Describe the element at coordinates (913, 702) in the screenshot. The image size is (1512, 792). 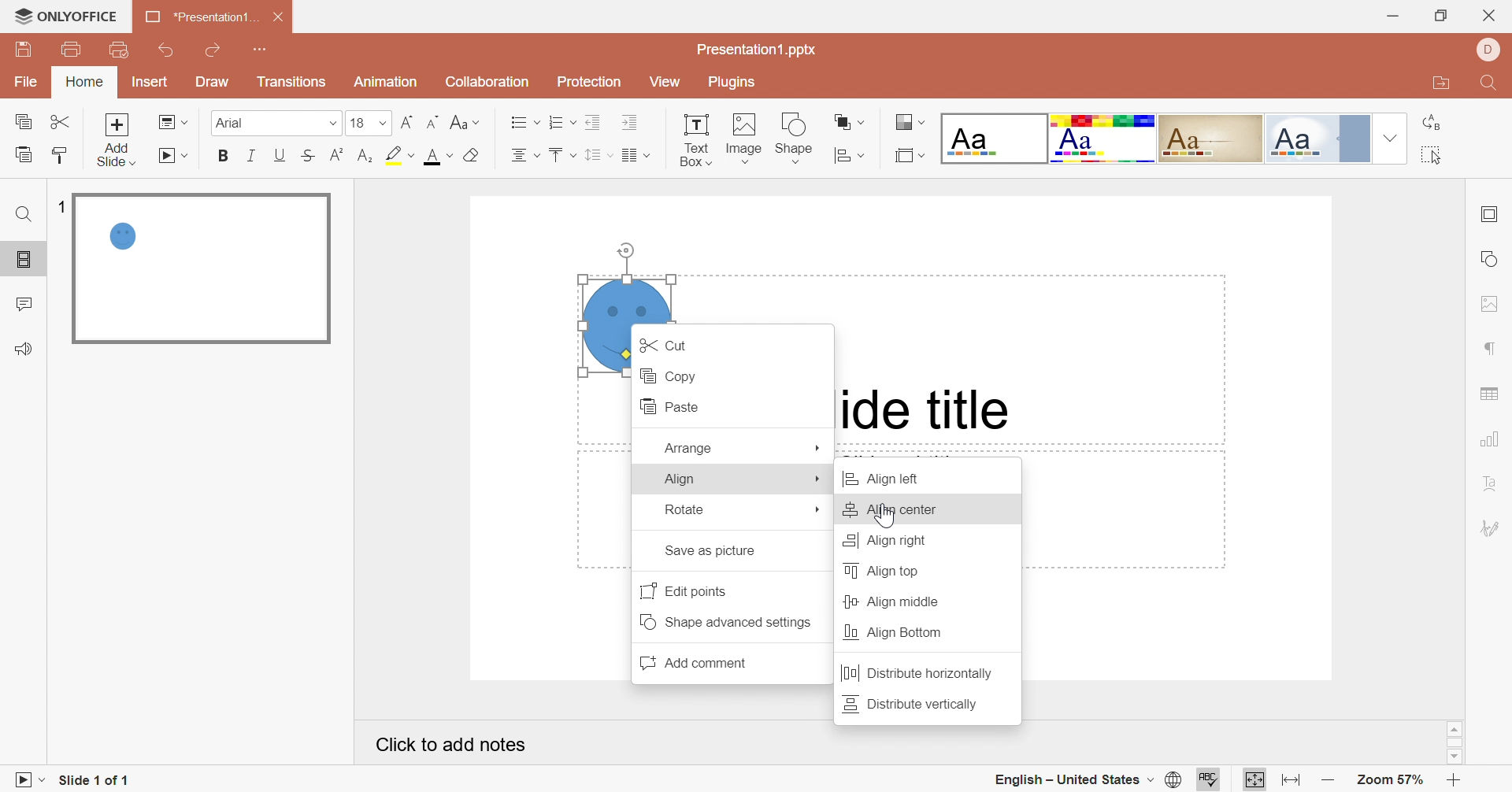
I see `Distribute vertically` at that location.